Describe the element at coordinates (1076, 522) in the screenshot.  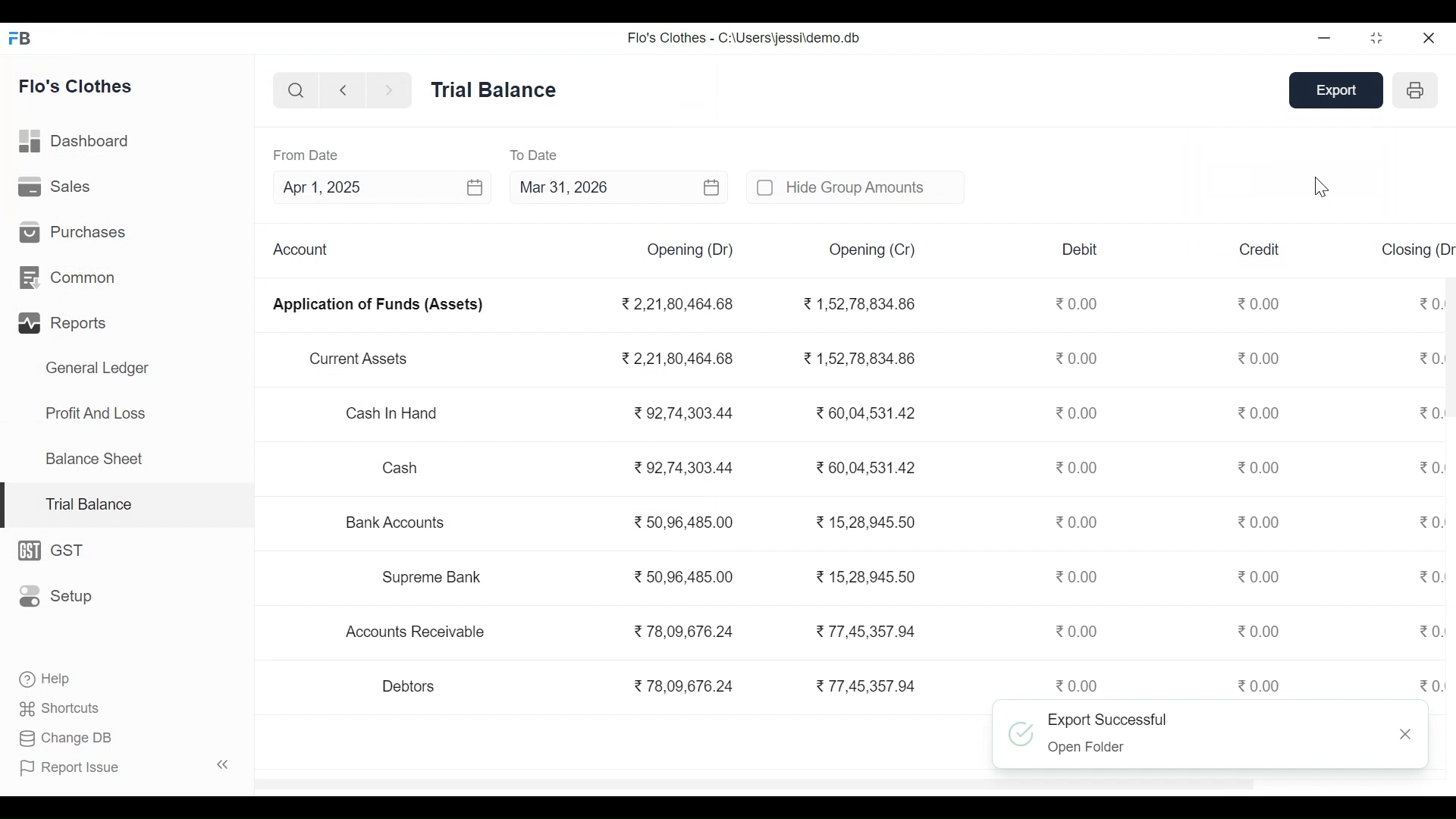
I see `0.00` at that location.